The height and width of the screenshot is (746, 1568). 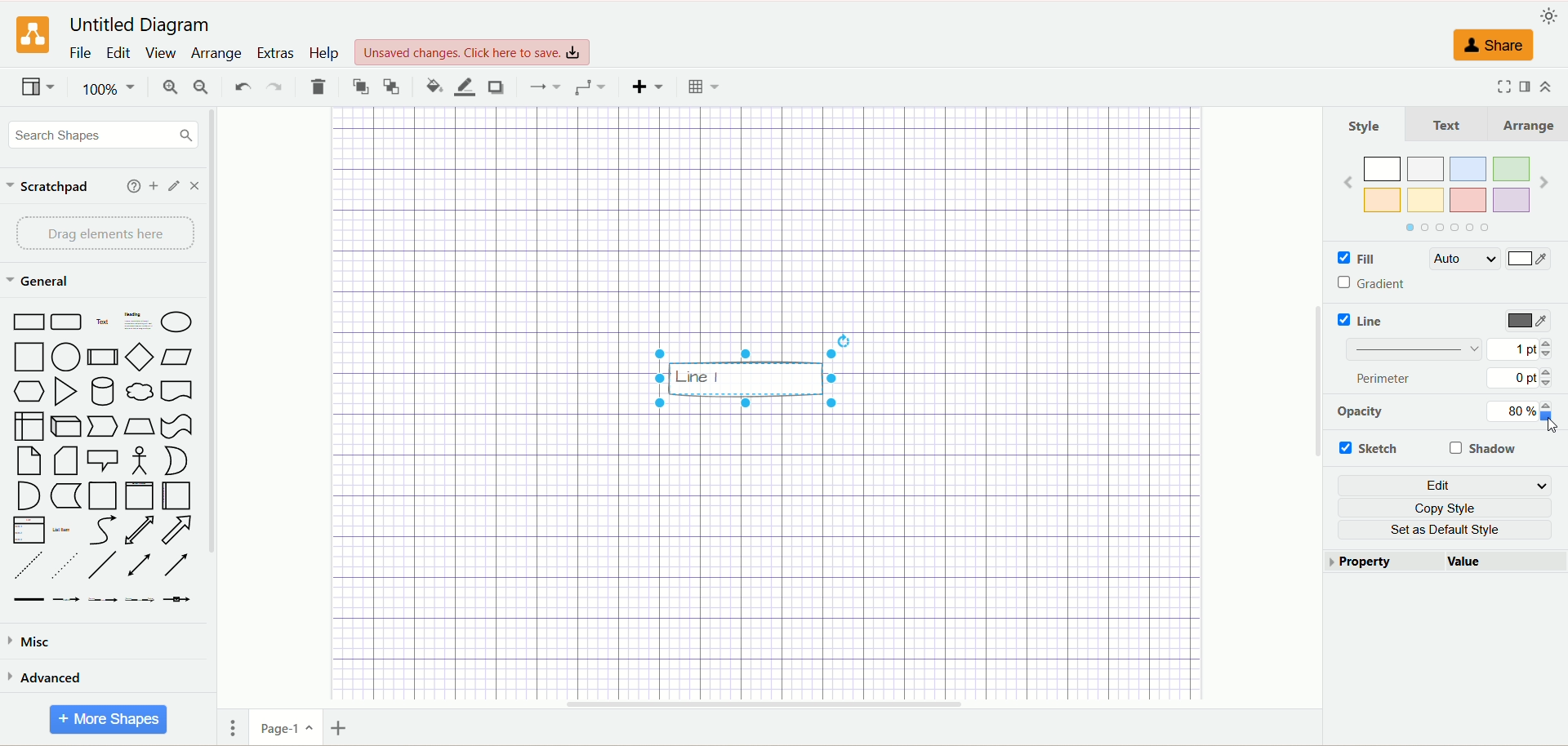 I want to click on Checkbox, so click(x=1341, y=319).